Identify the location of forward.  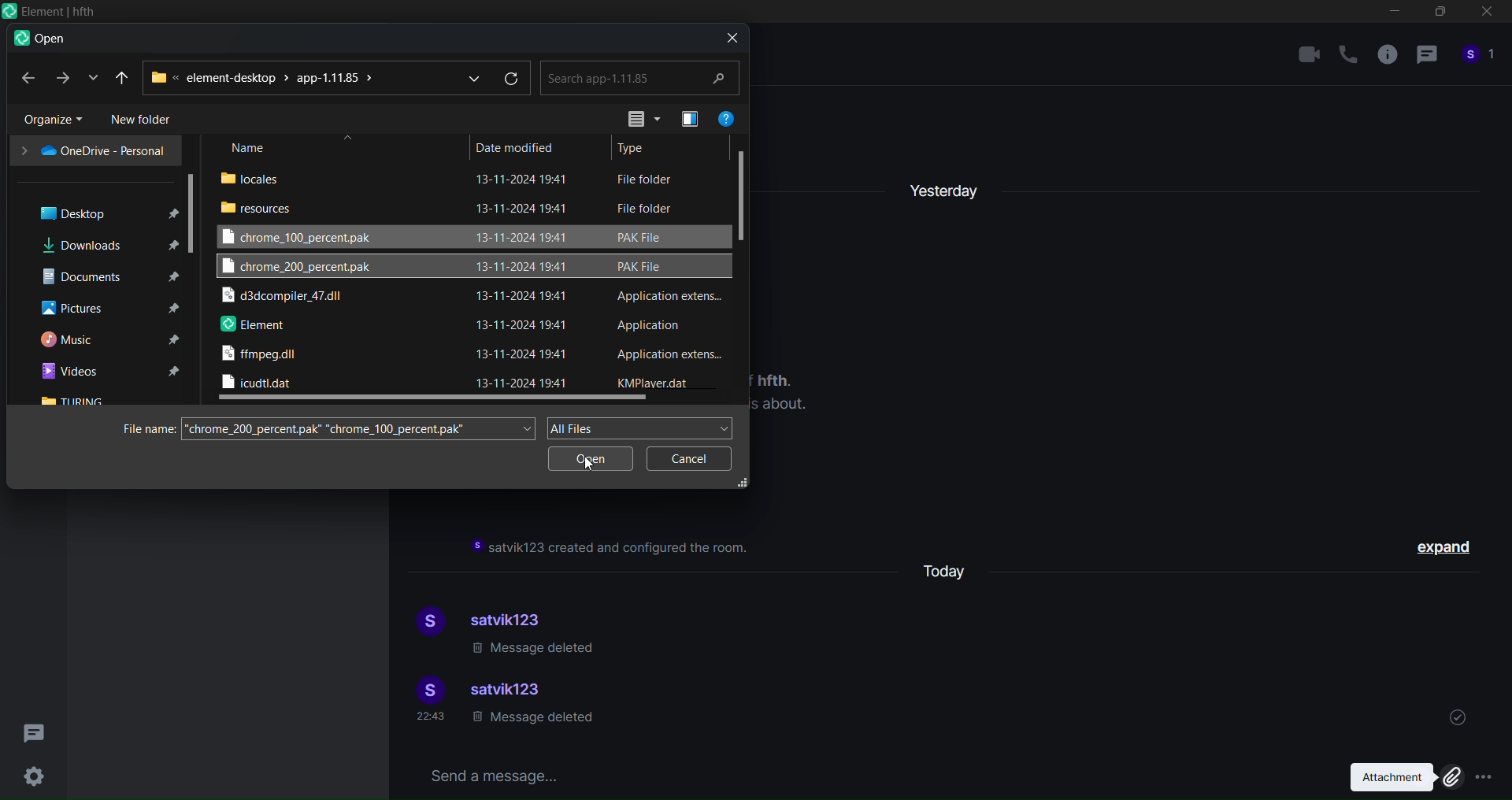
(61, 78).